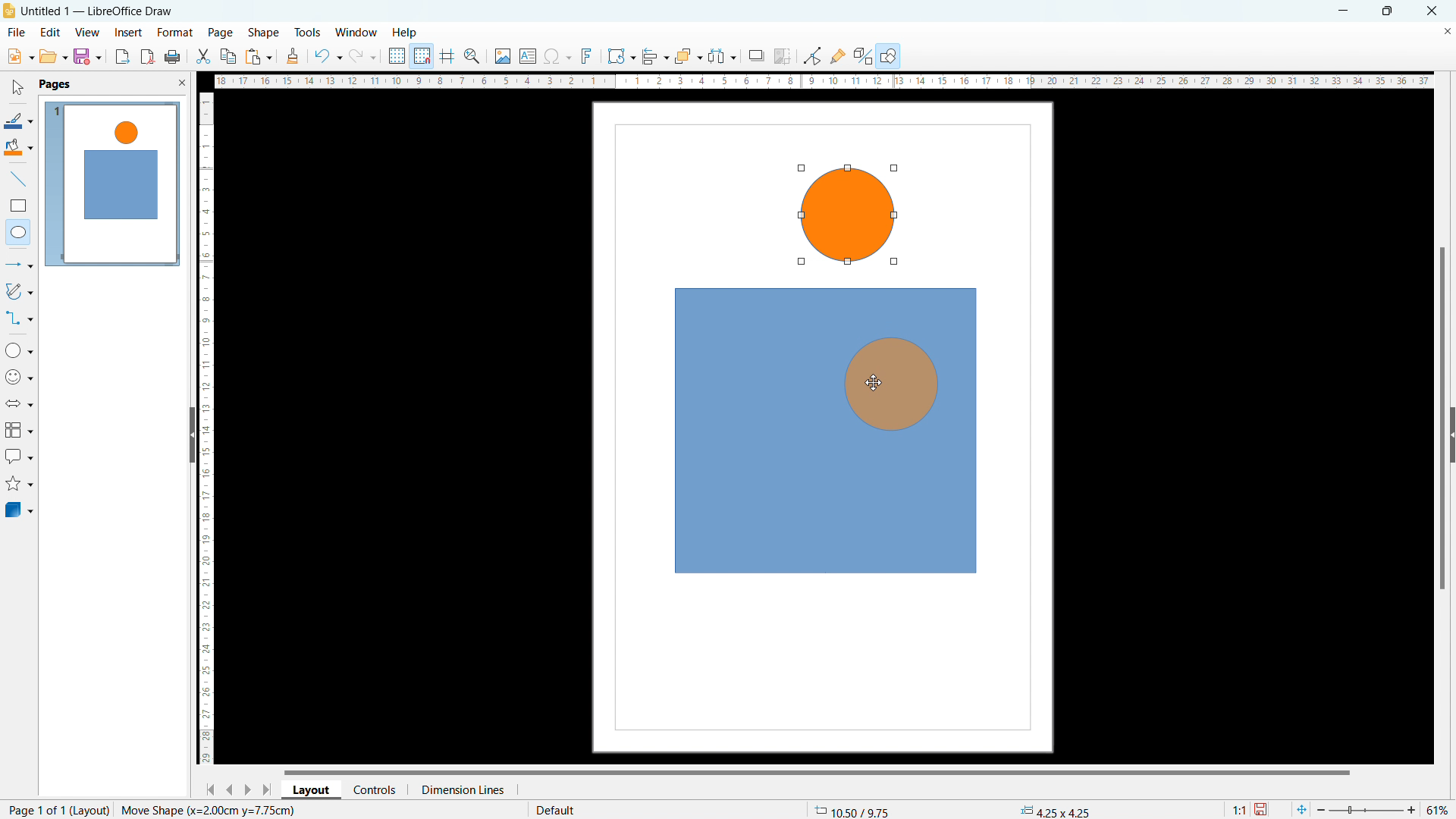 Image resolution: width=1456 pixels, height=819 pixels. I want to click on go to previous page, so click(230, 787).